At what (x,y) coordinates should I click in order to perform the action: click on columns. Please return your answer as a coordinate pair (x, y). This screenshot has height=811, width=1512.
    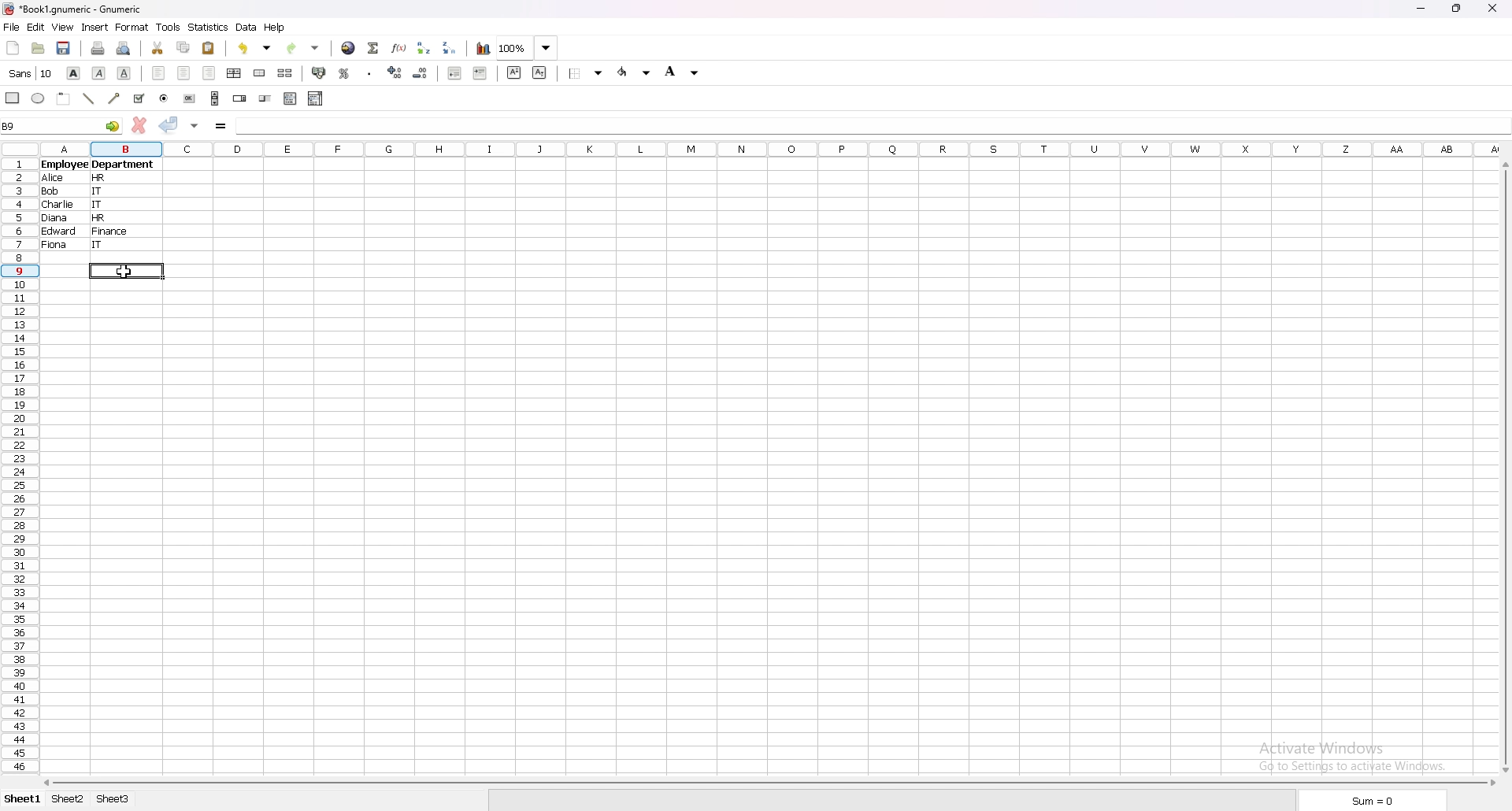
    Looking at the image, I should click on (776, 151).